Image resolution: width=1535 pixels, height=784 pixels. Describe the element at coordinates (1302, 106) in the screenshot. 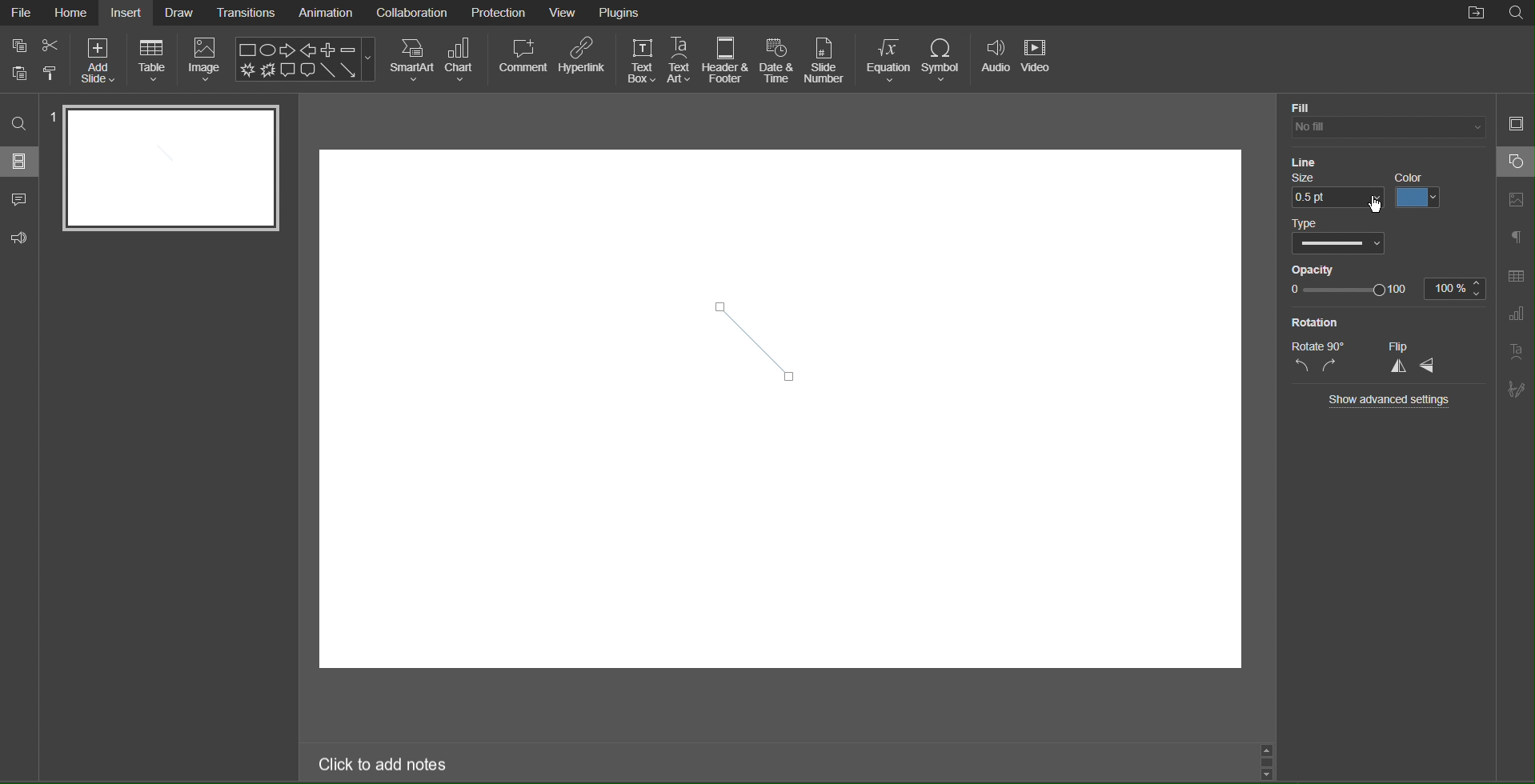

I see `Fill: No fill` at that location.